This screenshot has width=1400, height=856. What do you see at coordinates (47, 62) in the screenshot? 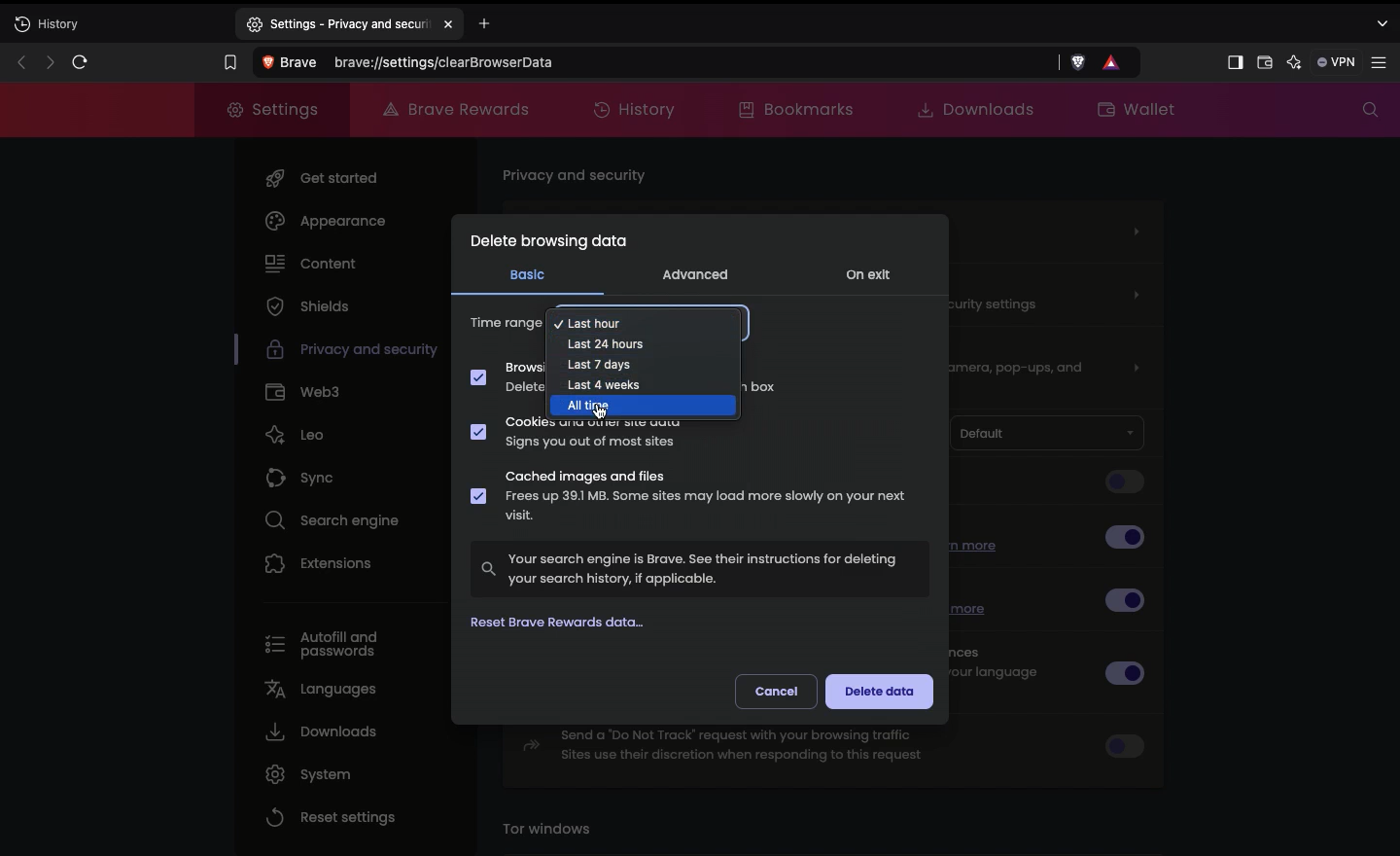
I see `Next page` at bounding box center [47, 62].